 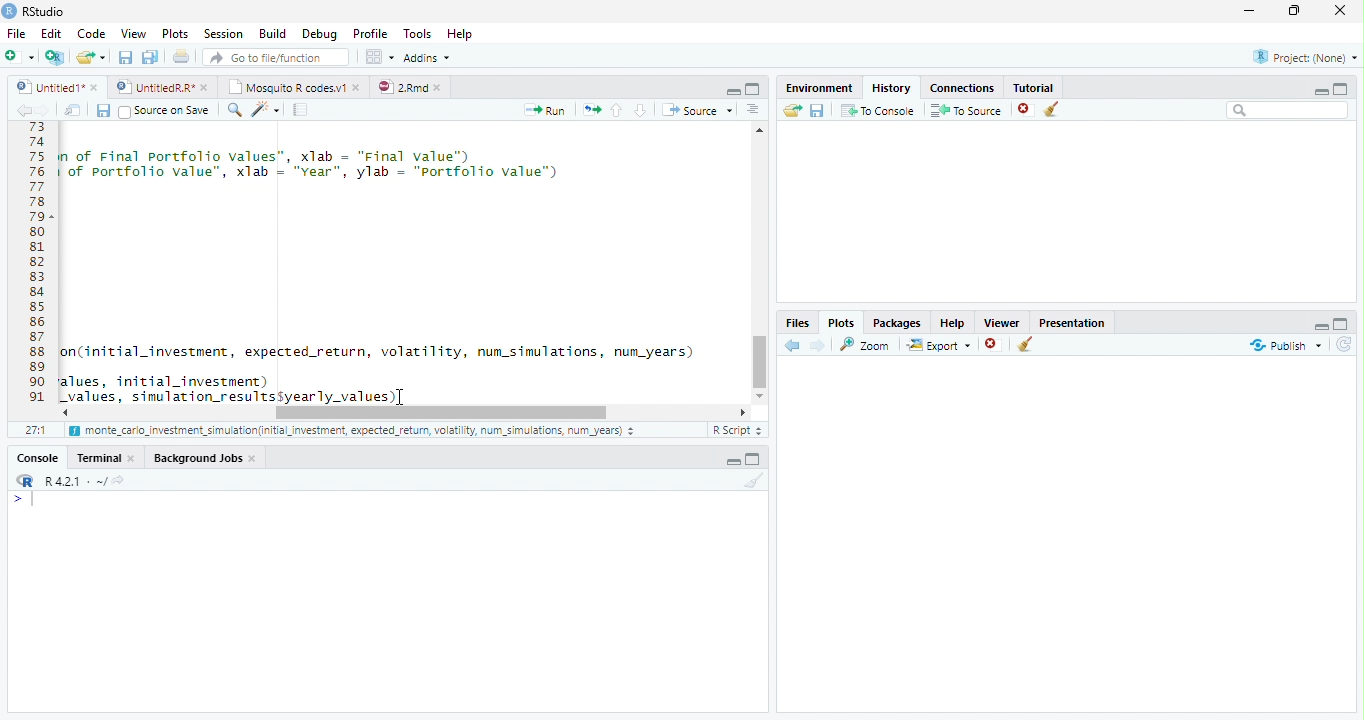 What do you see at coordinates (1072, 321) in the screenshot?
I see `Presentation` at bounding box center [1072, 321].